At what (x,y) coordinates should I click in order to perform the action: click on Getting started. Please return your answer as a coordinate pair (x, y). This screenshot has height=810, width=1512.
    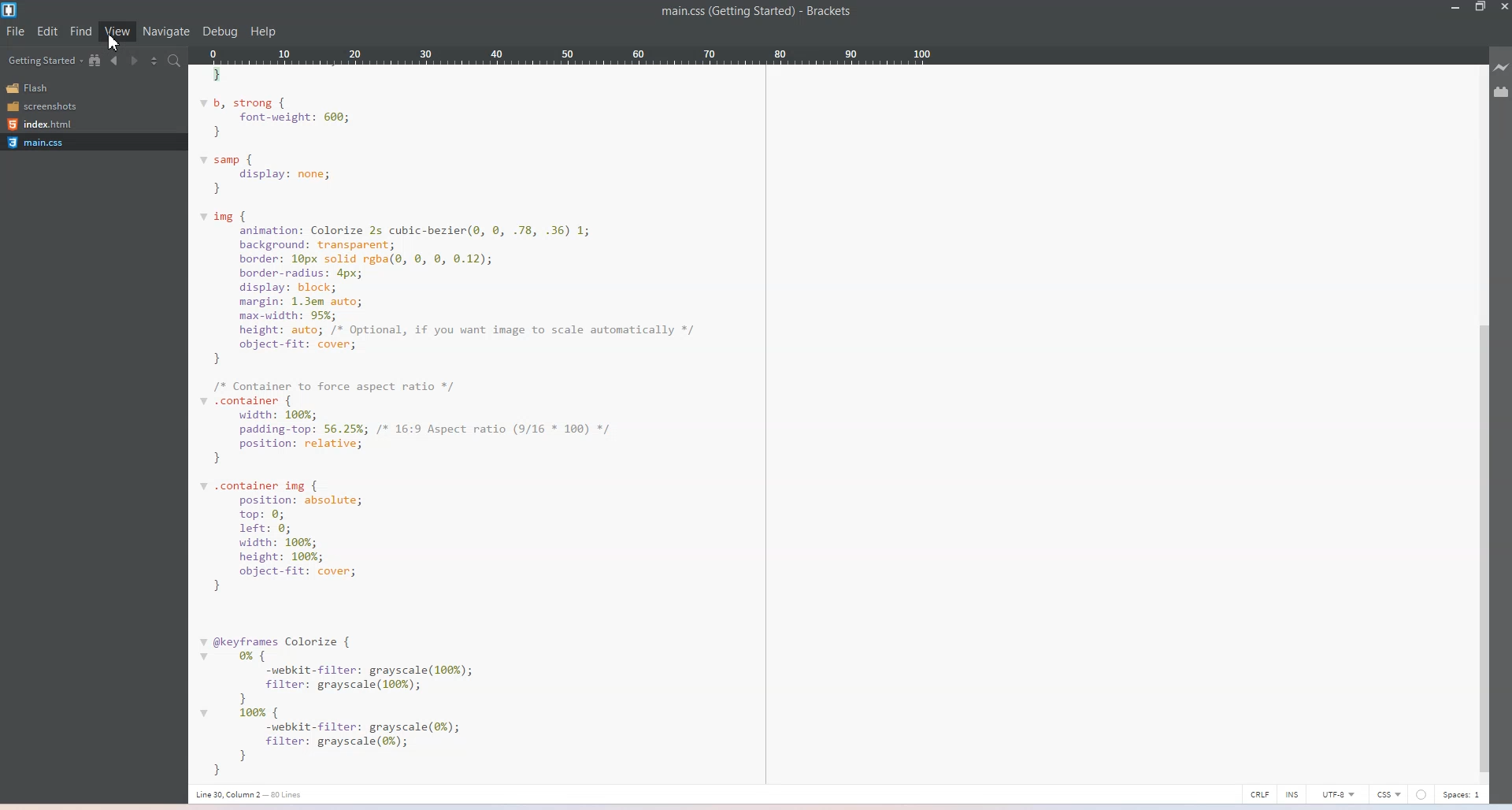
    Looking at the image, I should click on (45, 60).